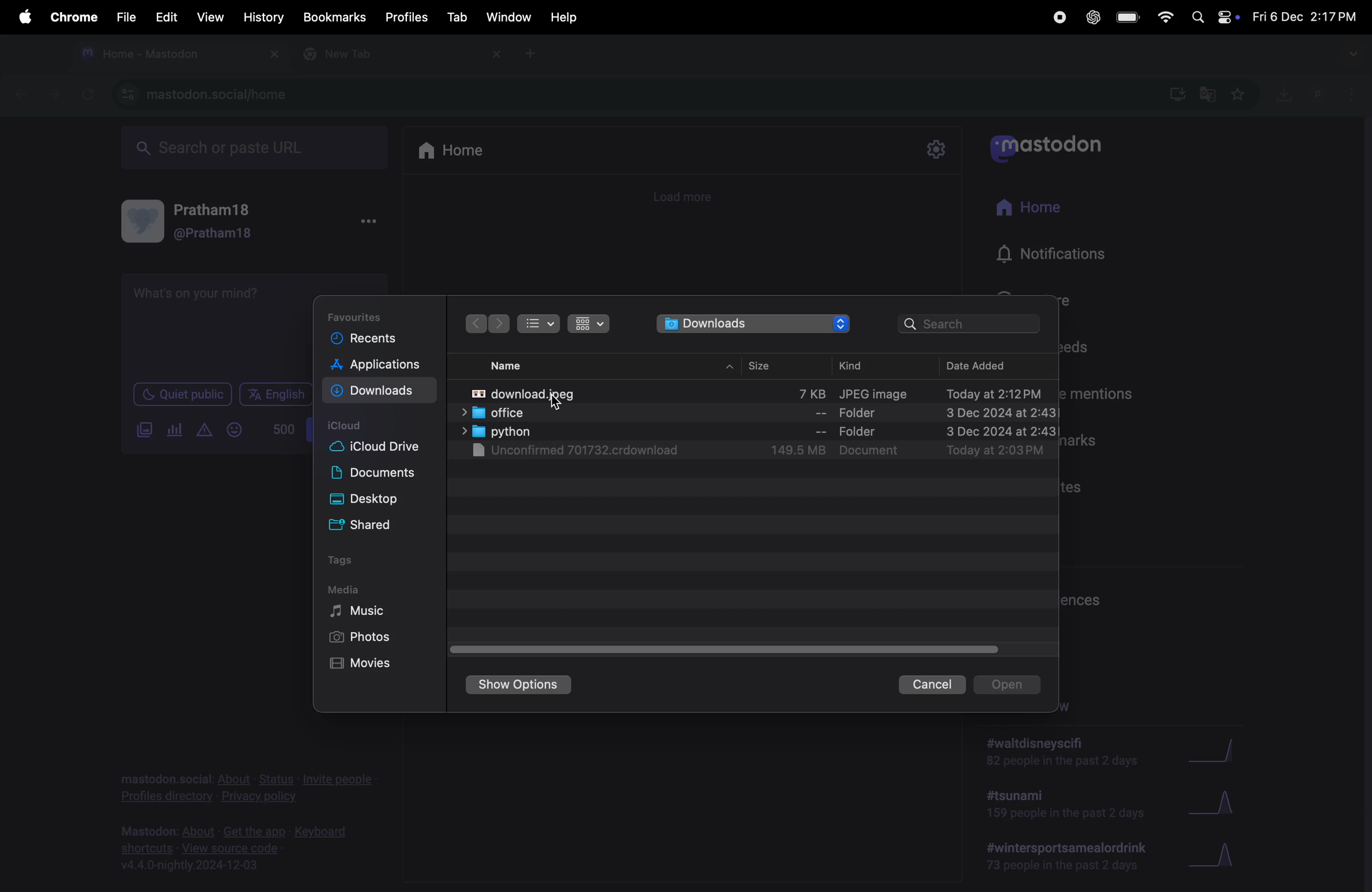 This screenshot has height=892, width=1372. Describe the element at coordinates (1241, 93) in the screenshot. I see `favourites` at that location.